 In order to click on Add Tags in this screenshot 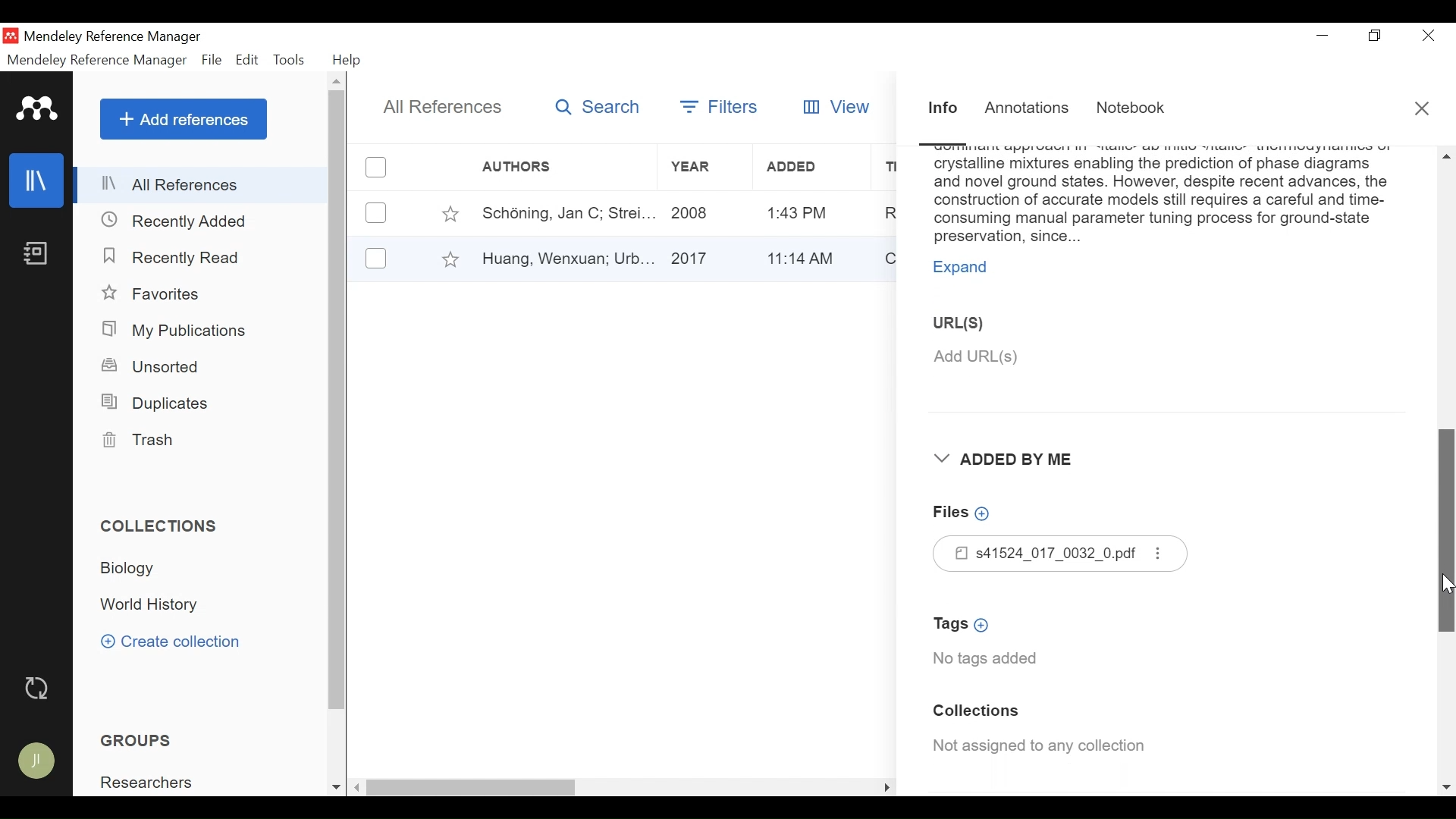, I will do `click(966, 625)`.